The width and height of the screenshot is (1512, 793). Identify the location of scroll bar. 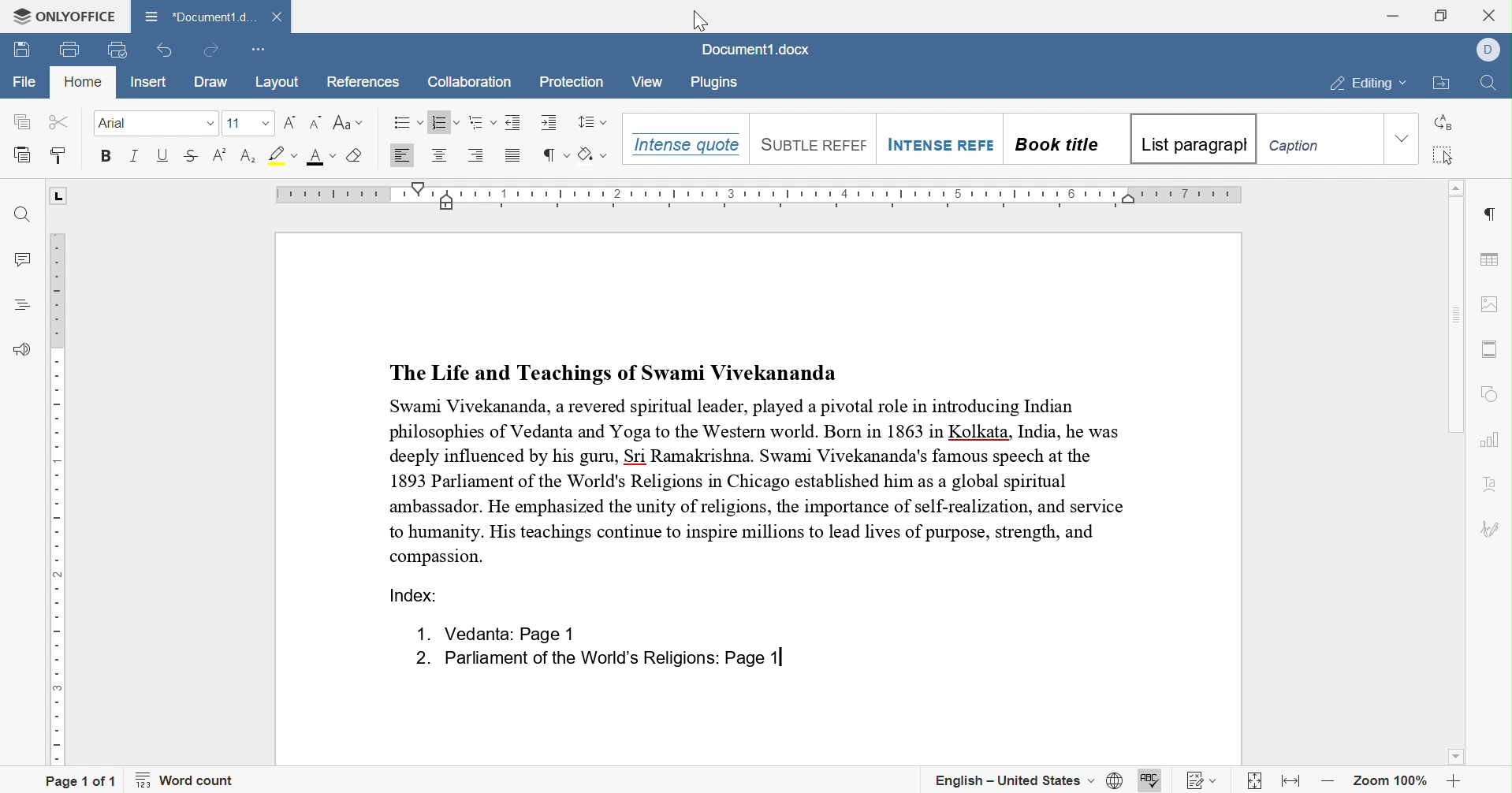
(1452, 315).